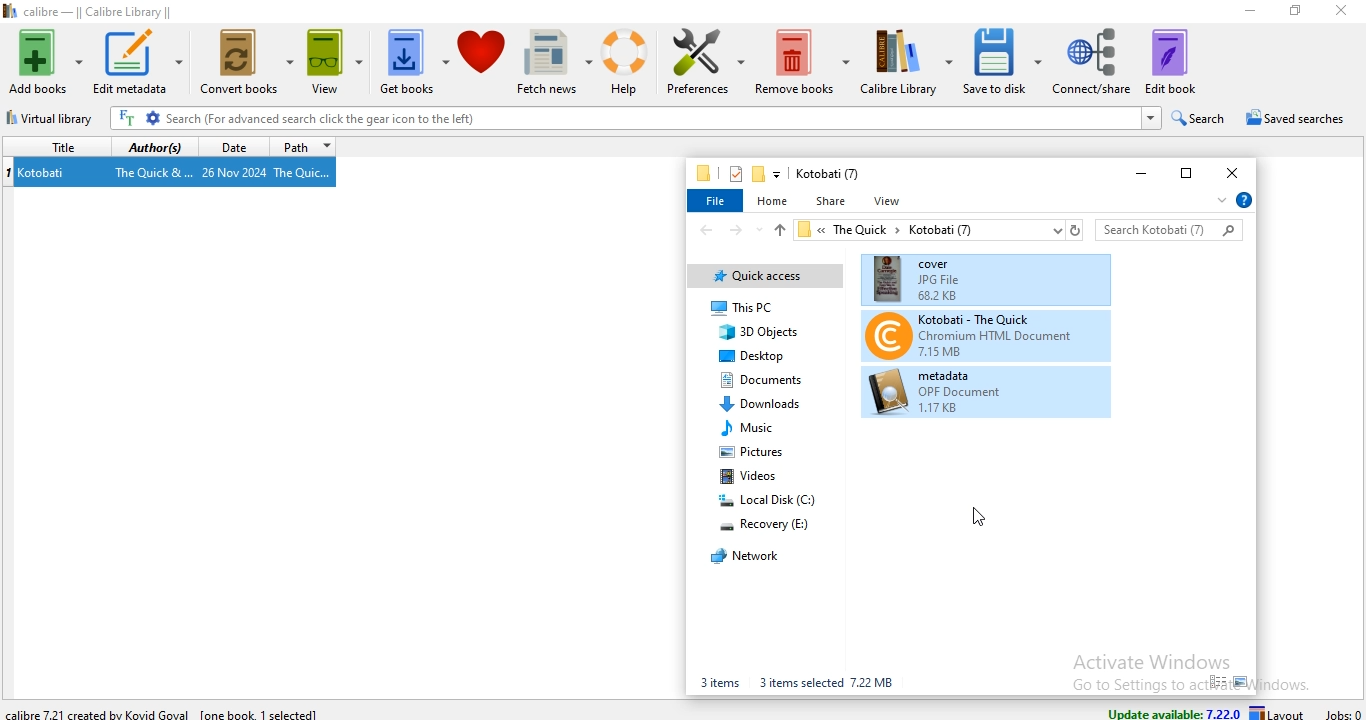  What do you see at coordinates (907, 61) in the screenshot?
I see `calibre library` at bounding box center [907, 61].